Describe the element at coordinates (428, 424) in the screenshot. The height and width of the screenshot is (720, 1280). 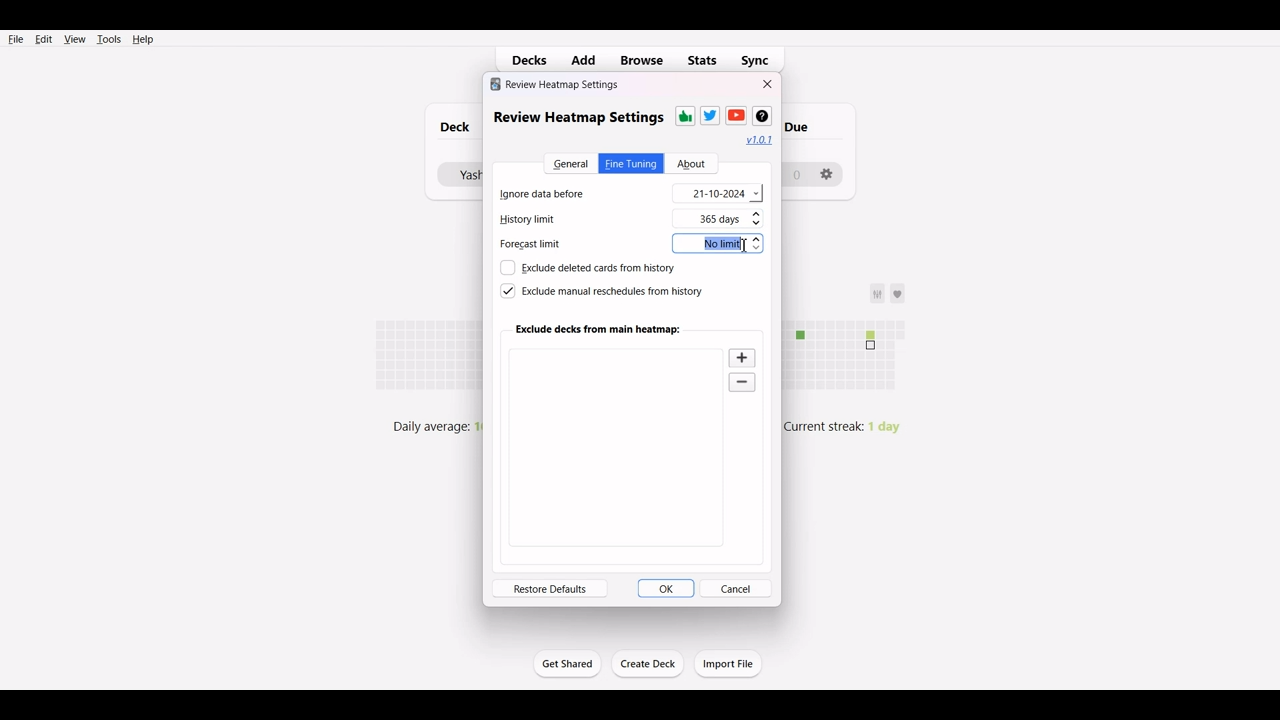
I see `daily average` at that location.